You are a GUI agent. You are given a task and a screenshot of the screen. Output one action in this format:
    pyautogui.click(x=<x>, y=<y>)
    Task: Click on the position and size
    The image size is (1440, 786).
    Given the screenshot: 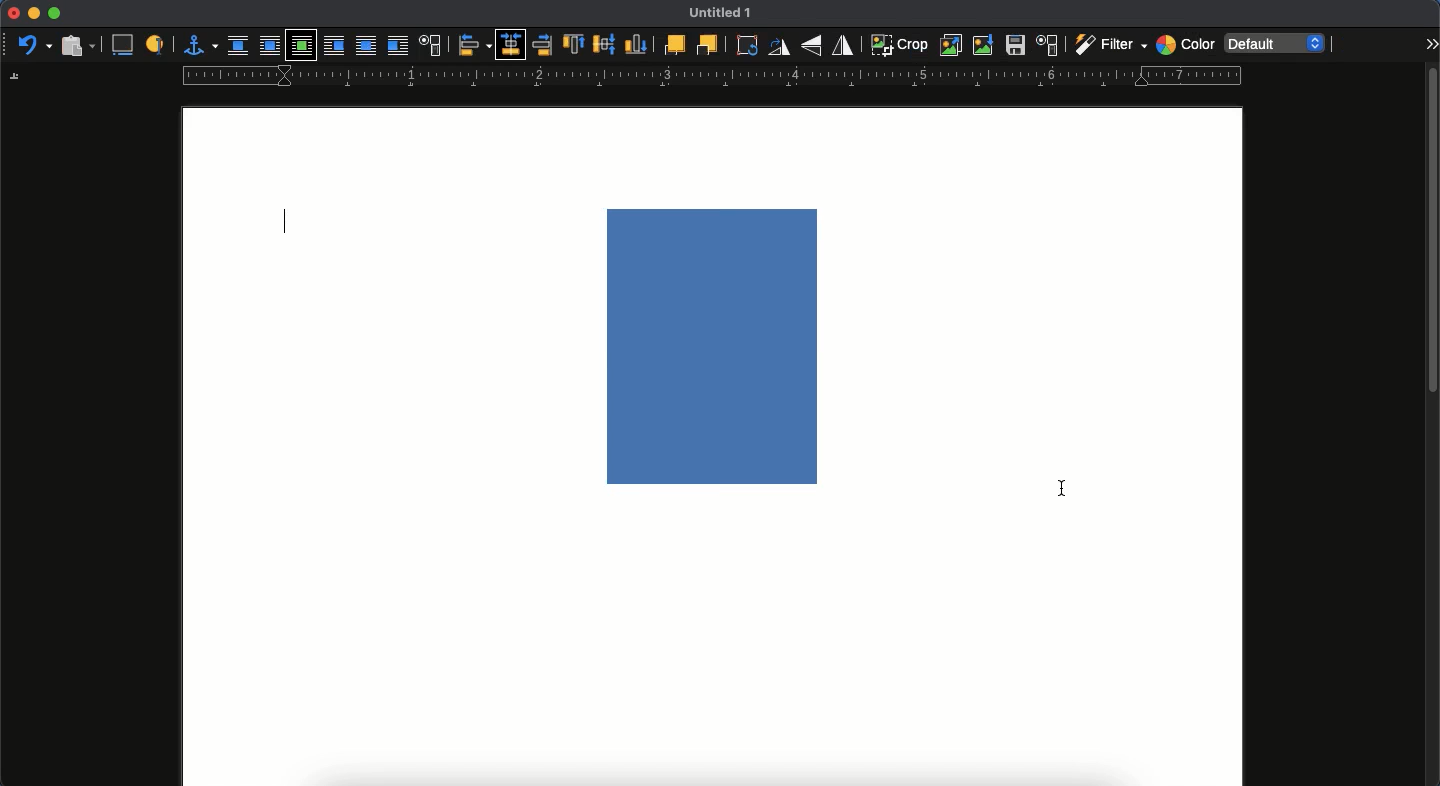 What is the action you would take?
    pyautogui.click(x=433, y=47)
    